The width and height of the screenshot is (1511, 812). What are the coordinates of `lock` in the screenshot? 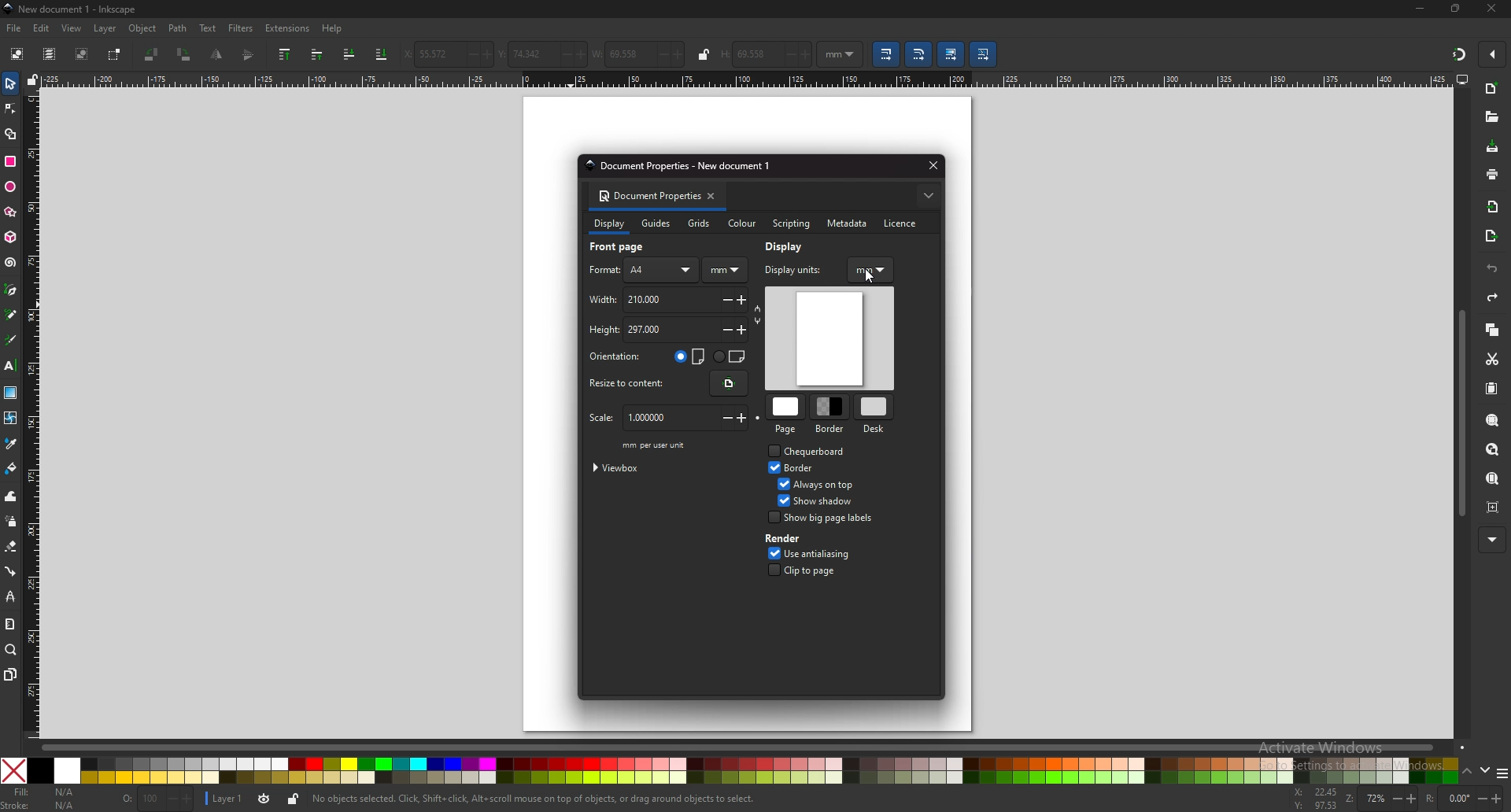 It's located at (704, 54).